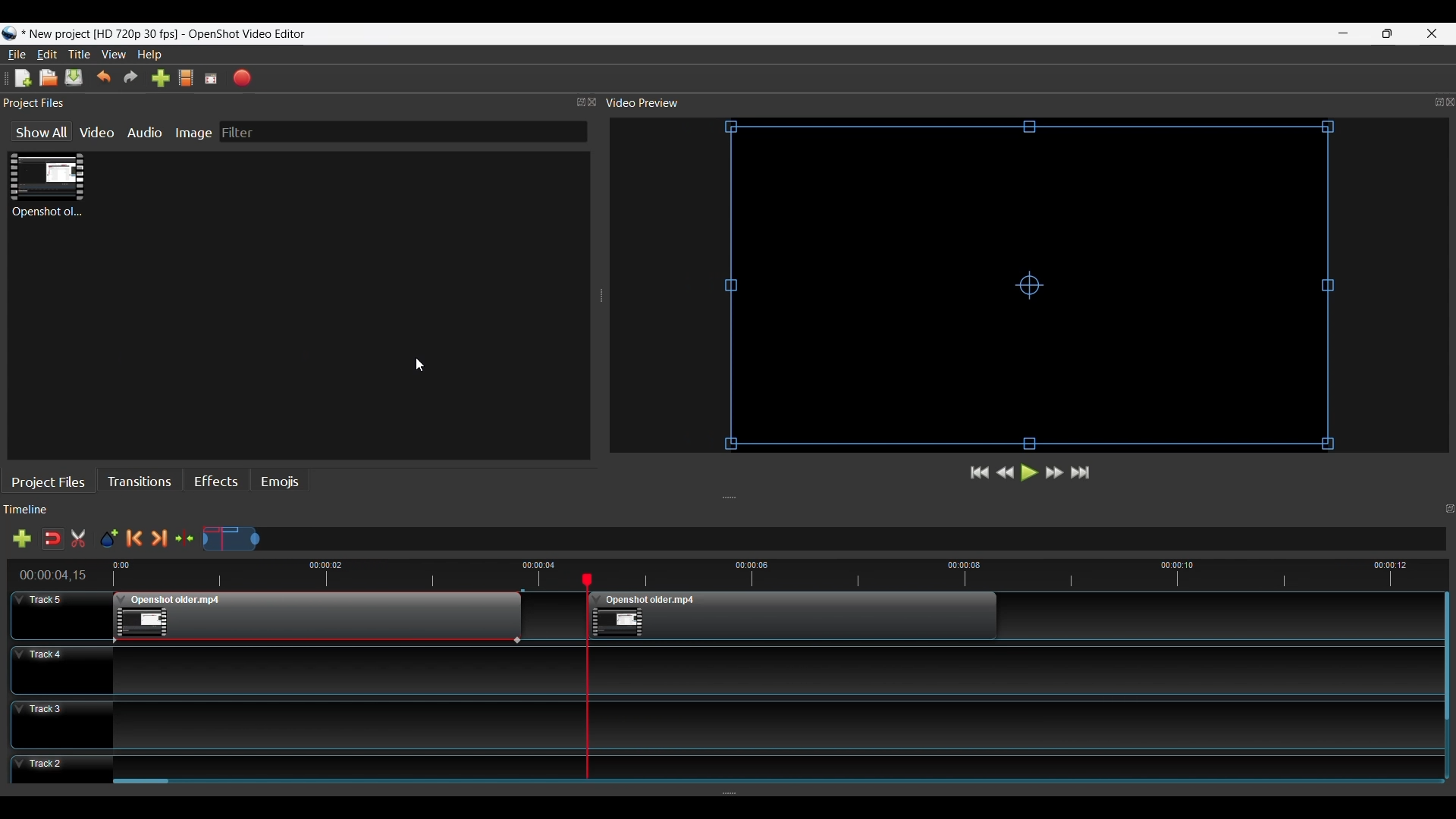 The image size is (1456, 819). What do you see at coordinates (52, 538) in the screenshot?
I see `Snap` at bounding box center [52, 538].